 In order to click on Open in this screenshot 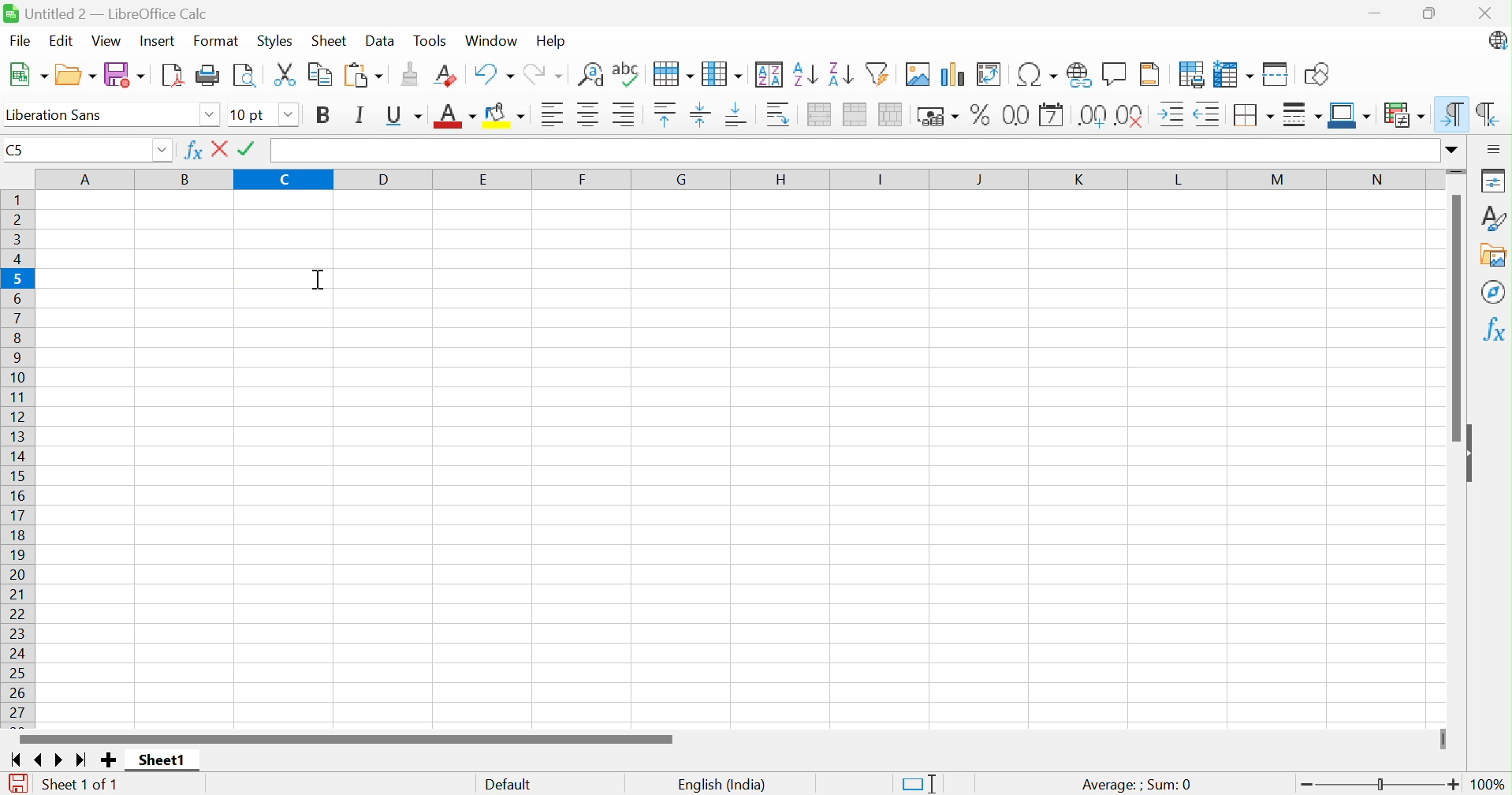, I will do `click(76, 74)`.